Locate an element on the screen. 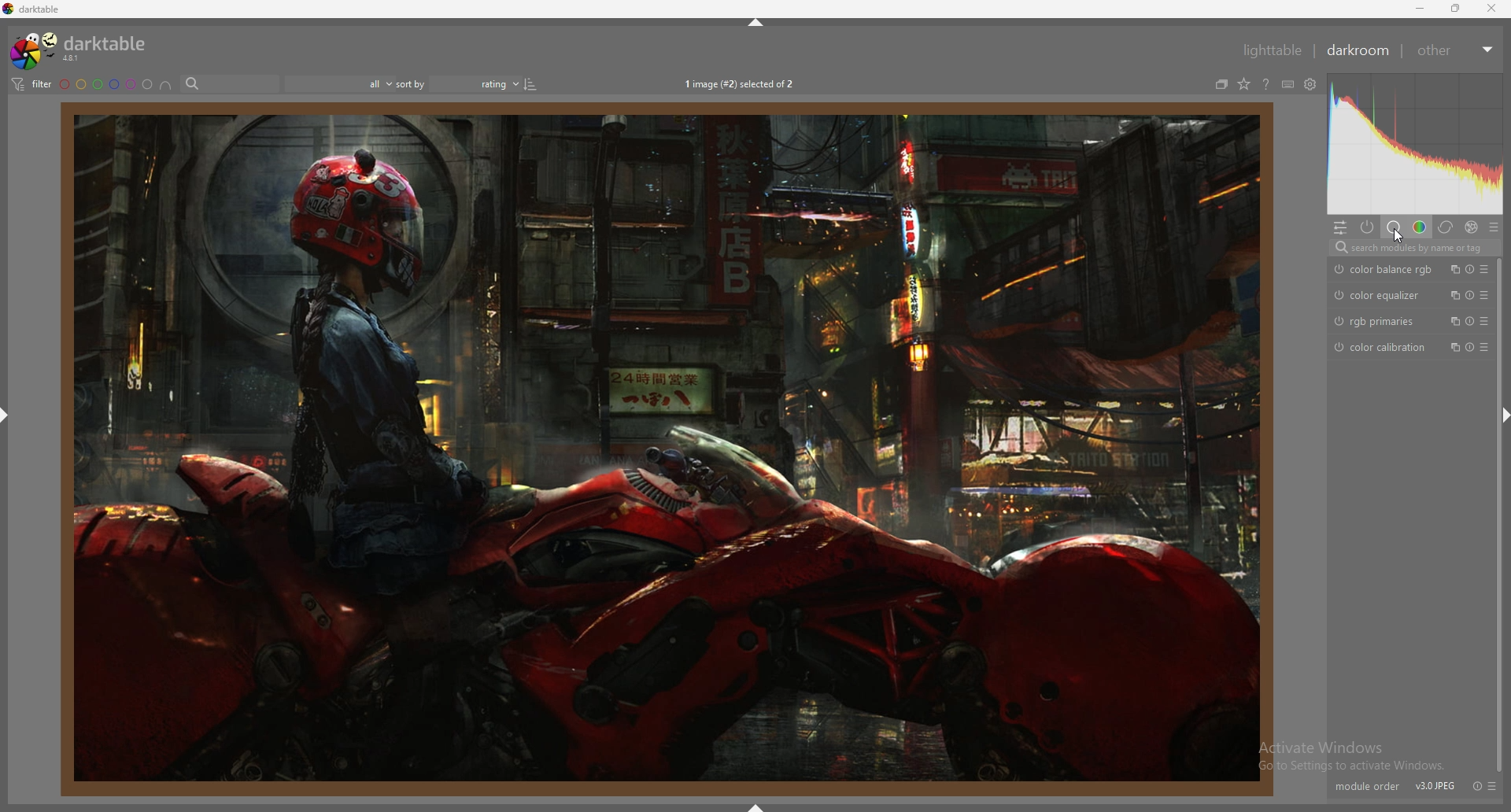  presets is located at coordinates (1484, 321).